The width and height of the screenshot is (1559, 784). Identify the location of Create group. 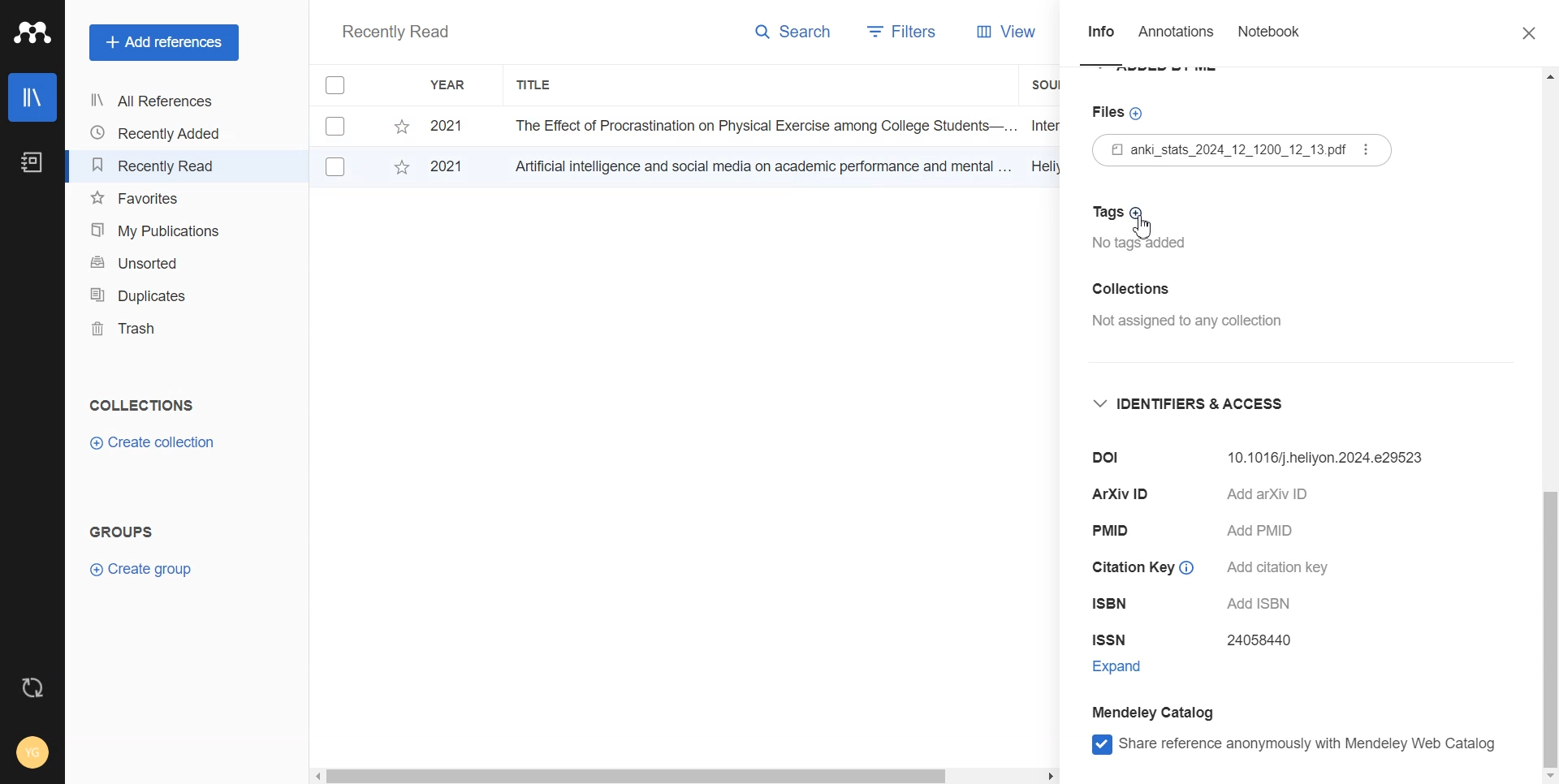
(142, 567).